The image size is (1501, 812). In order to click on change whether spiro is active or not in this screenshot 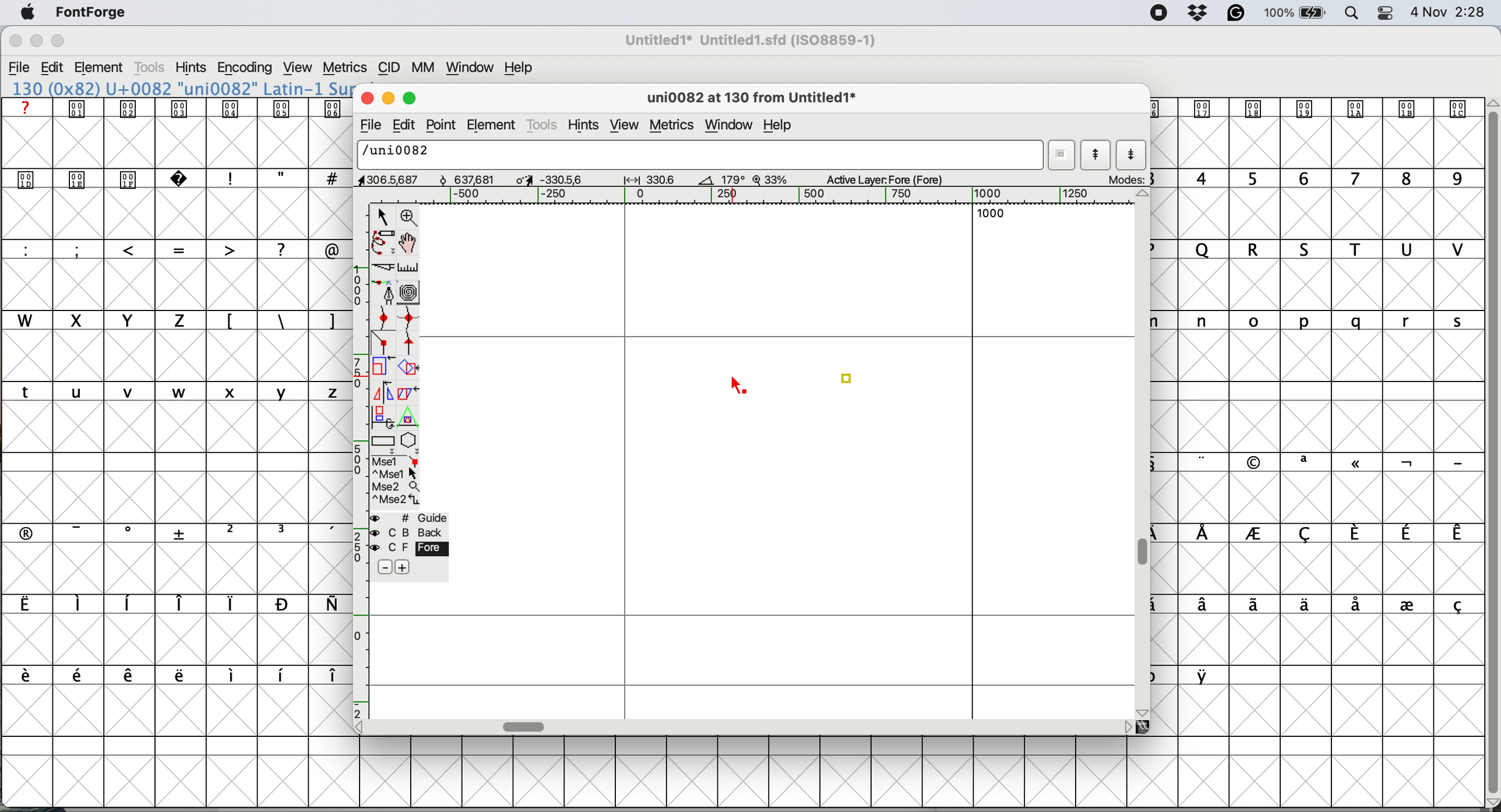, I will do `click(410, 292)`.